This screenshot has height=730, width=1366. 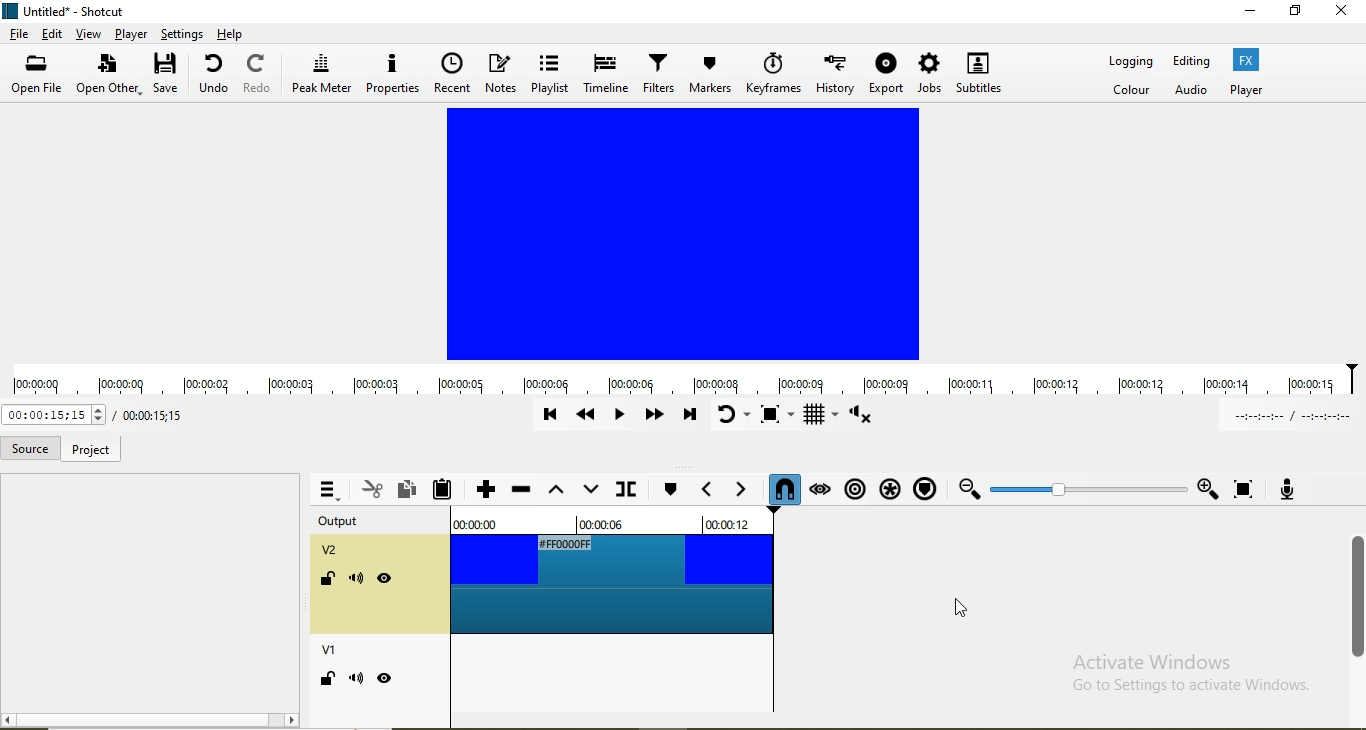 I want to click on Player, so click(x=1246, y=89).